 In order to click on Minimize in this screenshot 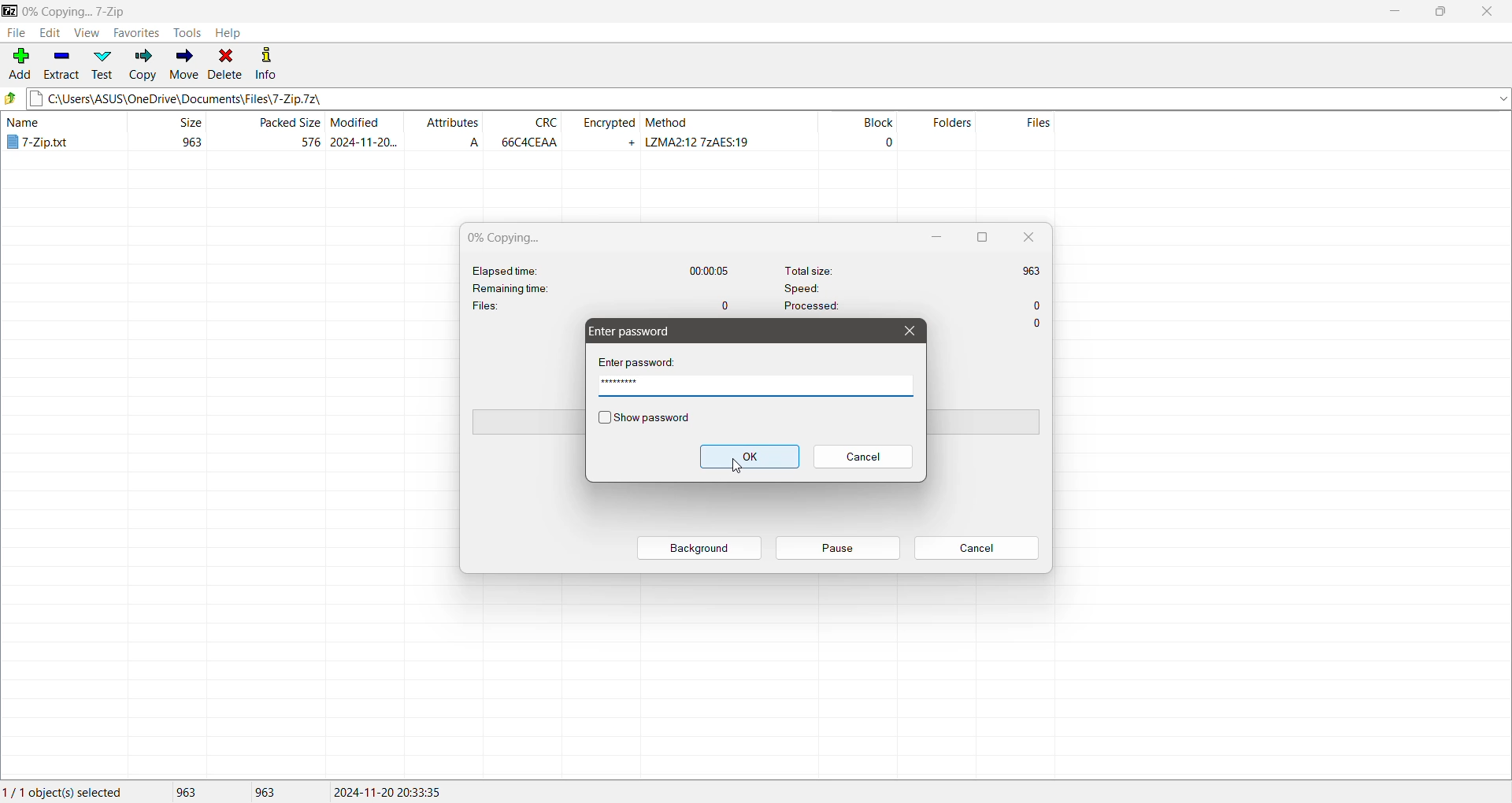, I will do `click(938, 237)`.